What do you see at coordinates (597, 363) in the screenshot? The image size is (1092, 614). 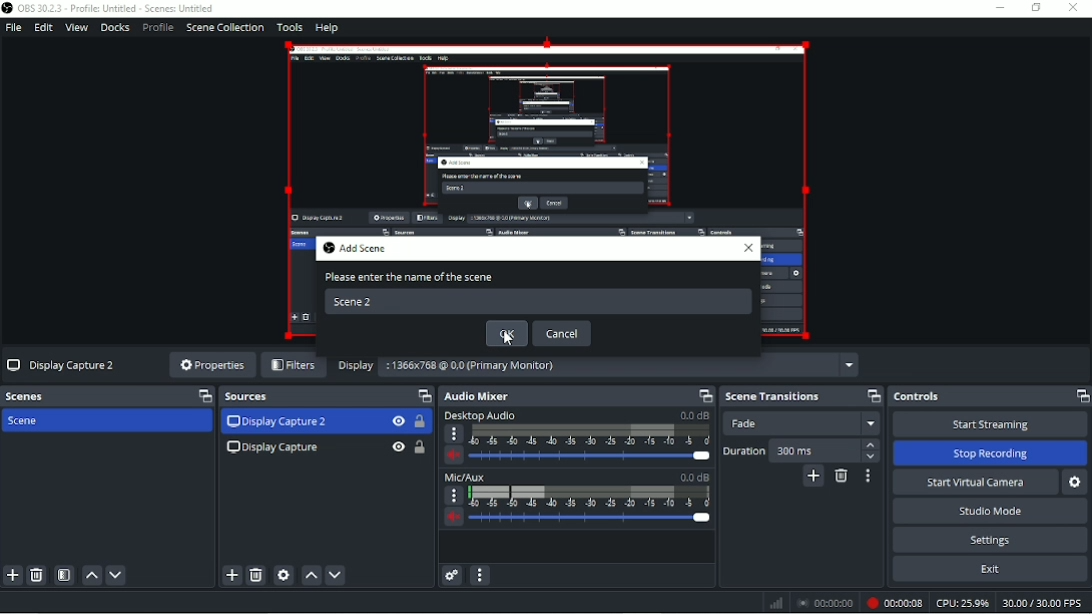 I see `Display :1366x768 @ 0,0 (Primary Monitor)` at bounding box center [597, 363].